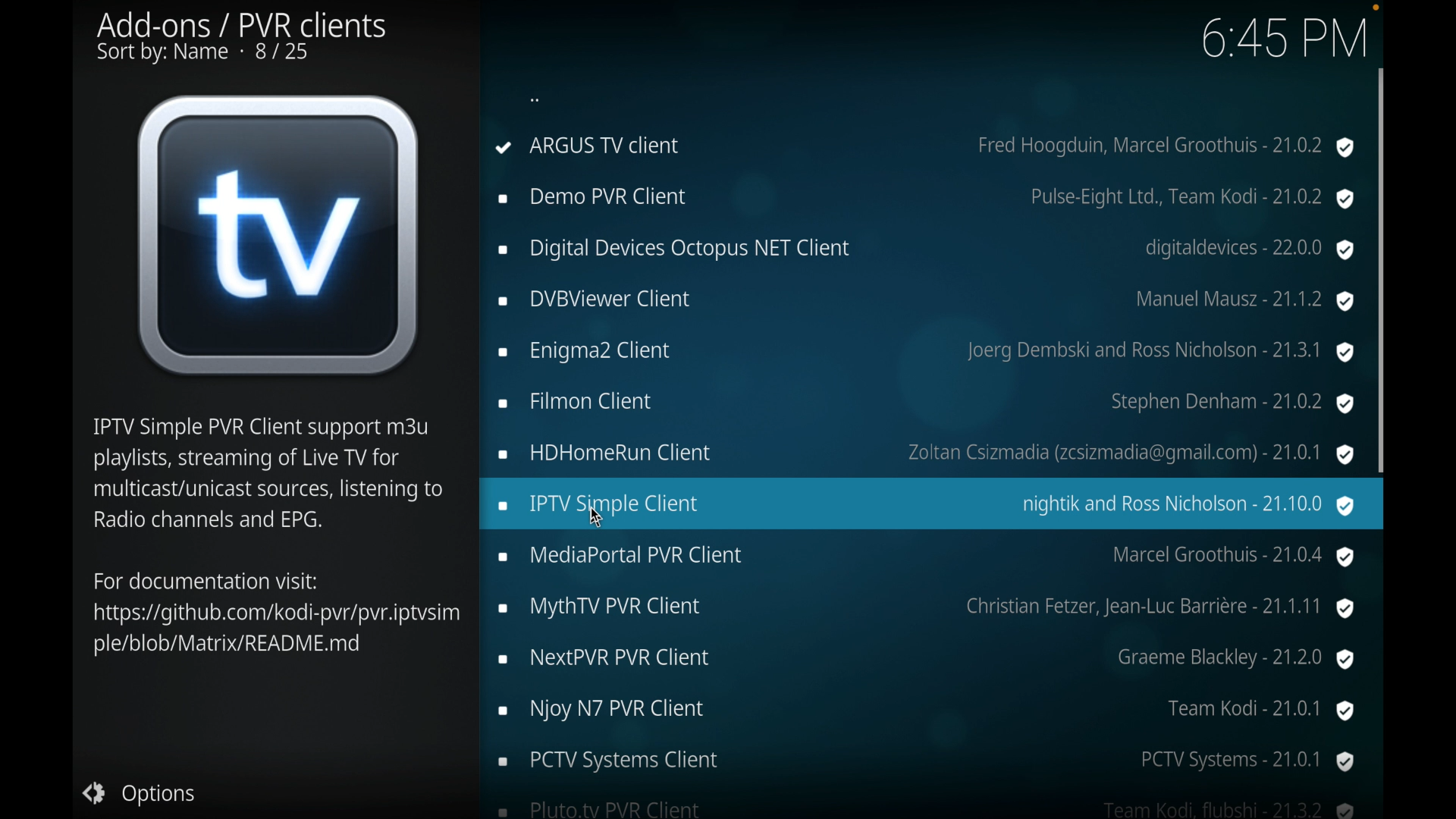 Image resolution: width=1456 pixels, height=819 pixels. I want to click on tv icon, so click(279, 234).